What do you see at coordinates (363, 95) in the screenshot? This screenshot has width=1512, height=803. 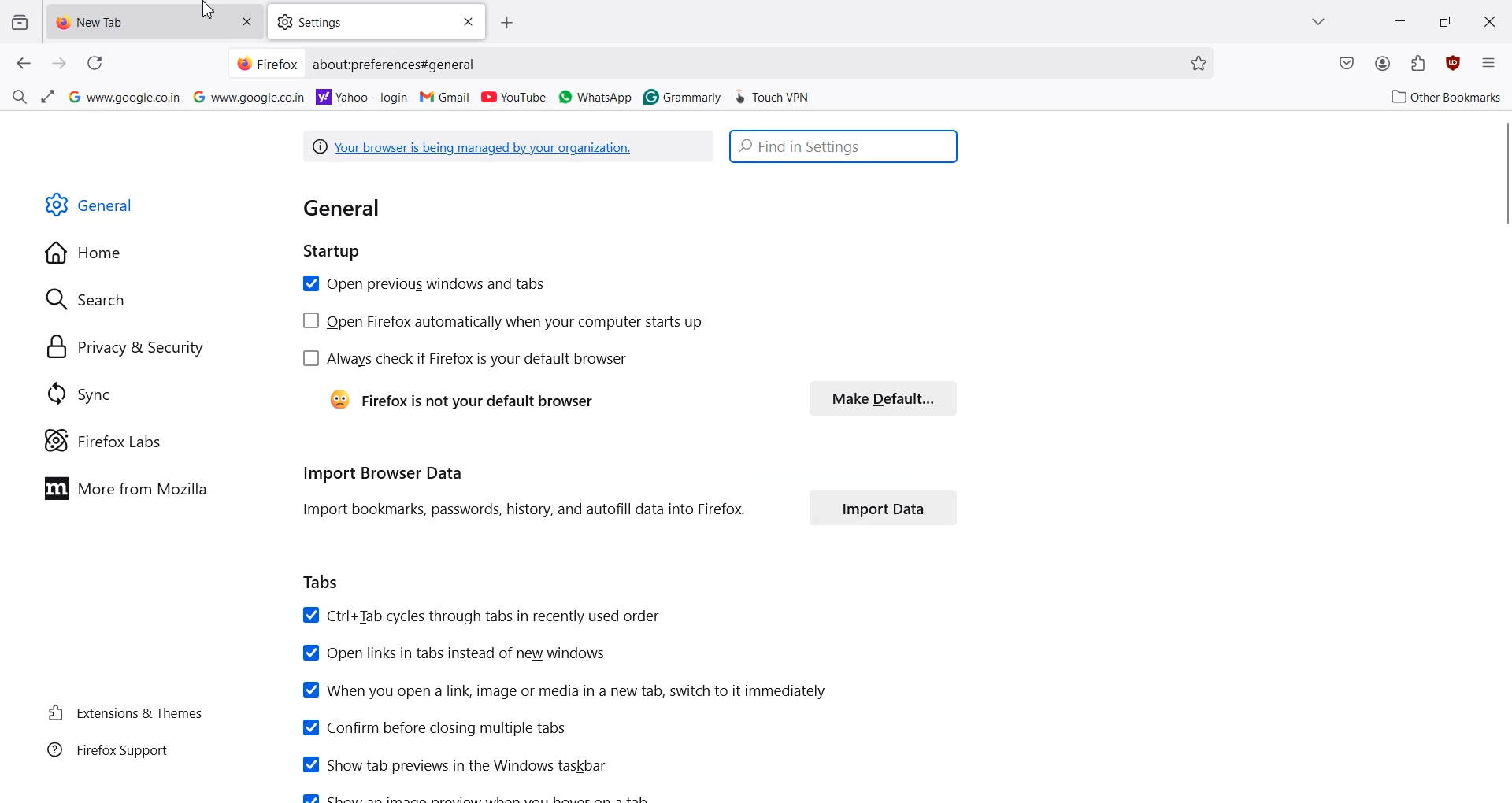 I see `Yahoo Bookmark` at bounding box center [363, 95].